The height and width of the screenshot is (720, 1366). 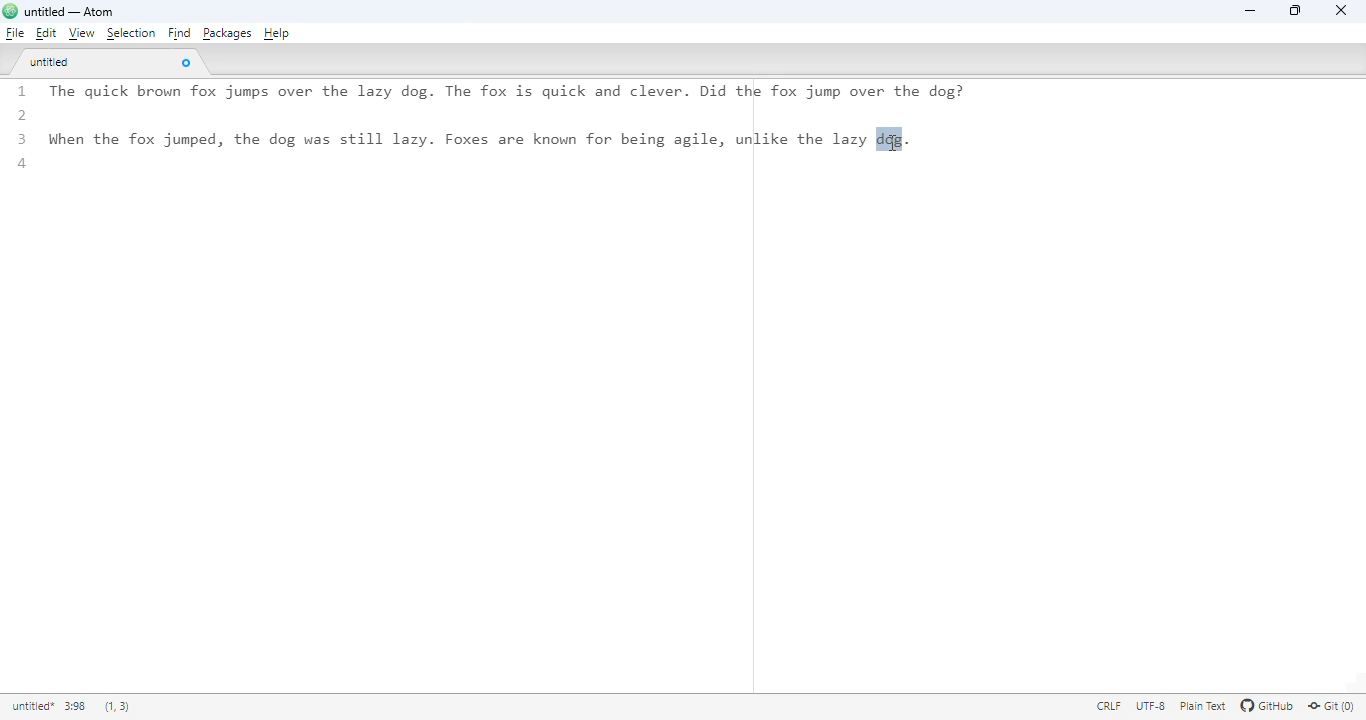 What do you see at coordinates (80, 33) in the screenshot?
I see `view` at bounding box center [80, 33].